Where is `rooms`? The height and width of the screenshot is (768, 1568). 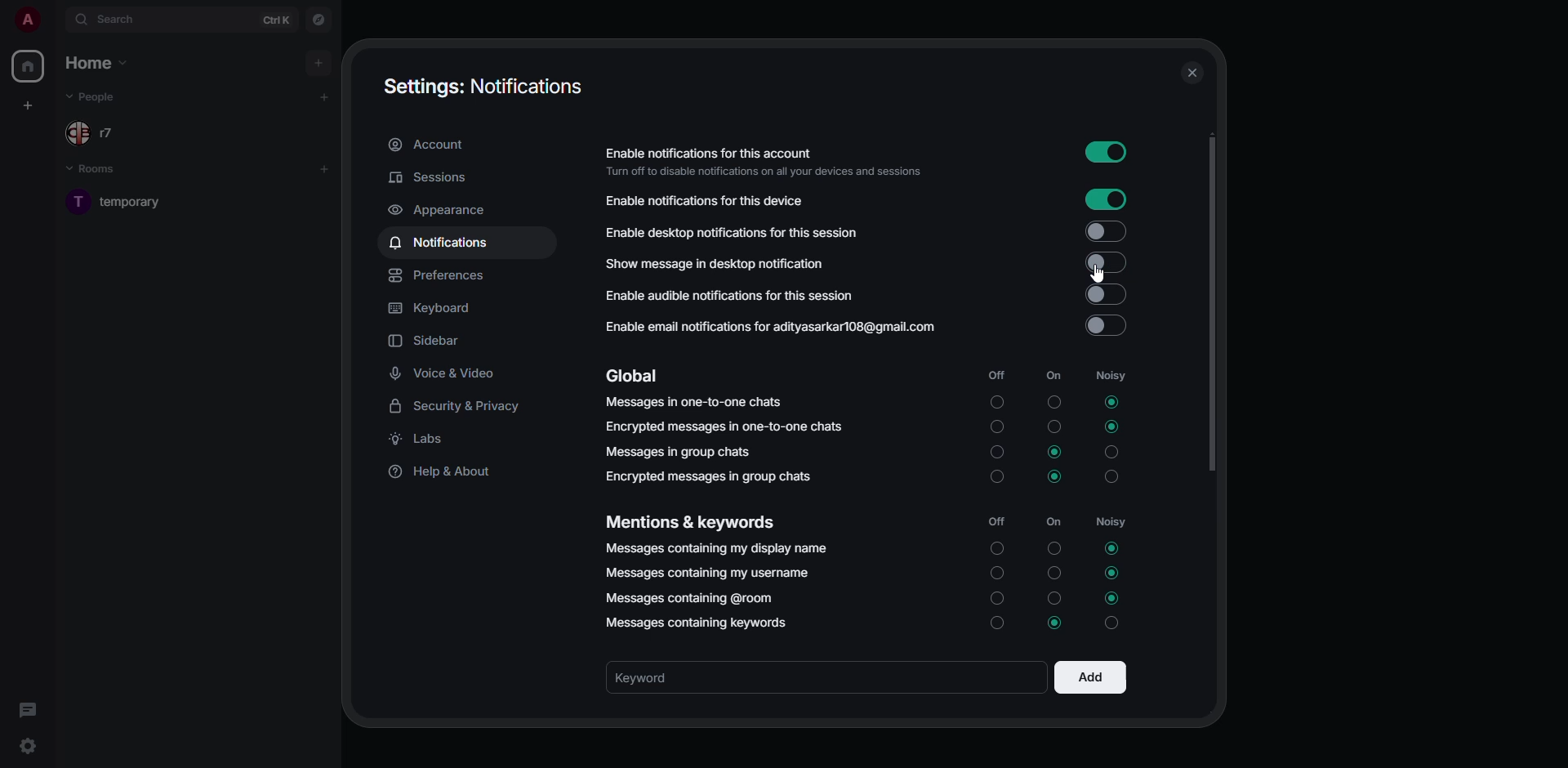
rooms is located at coordinates (101, 171).